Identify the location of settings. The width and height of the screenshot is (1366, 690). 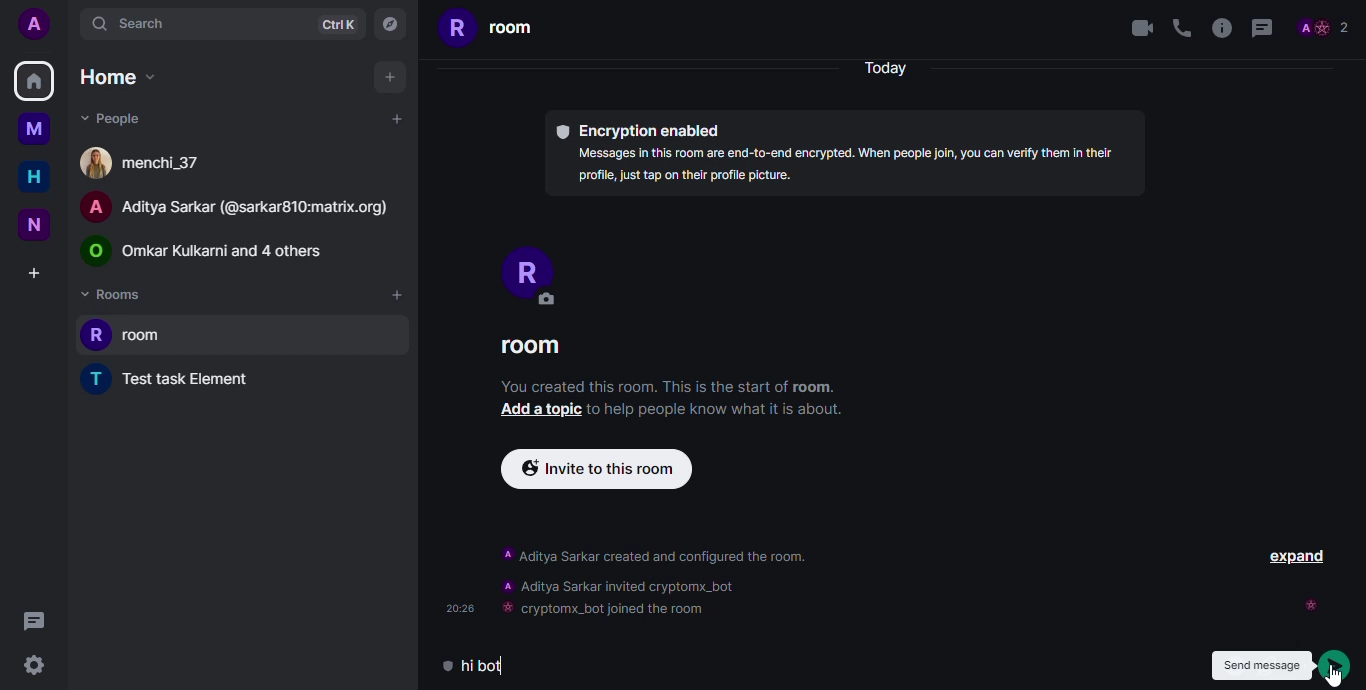
(34, 666).